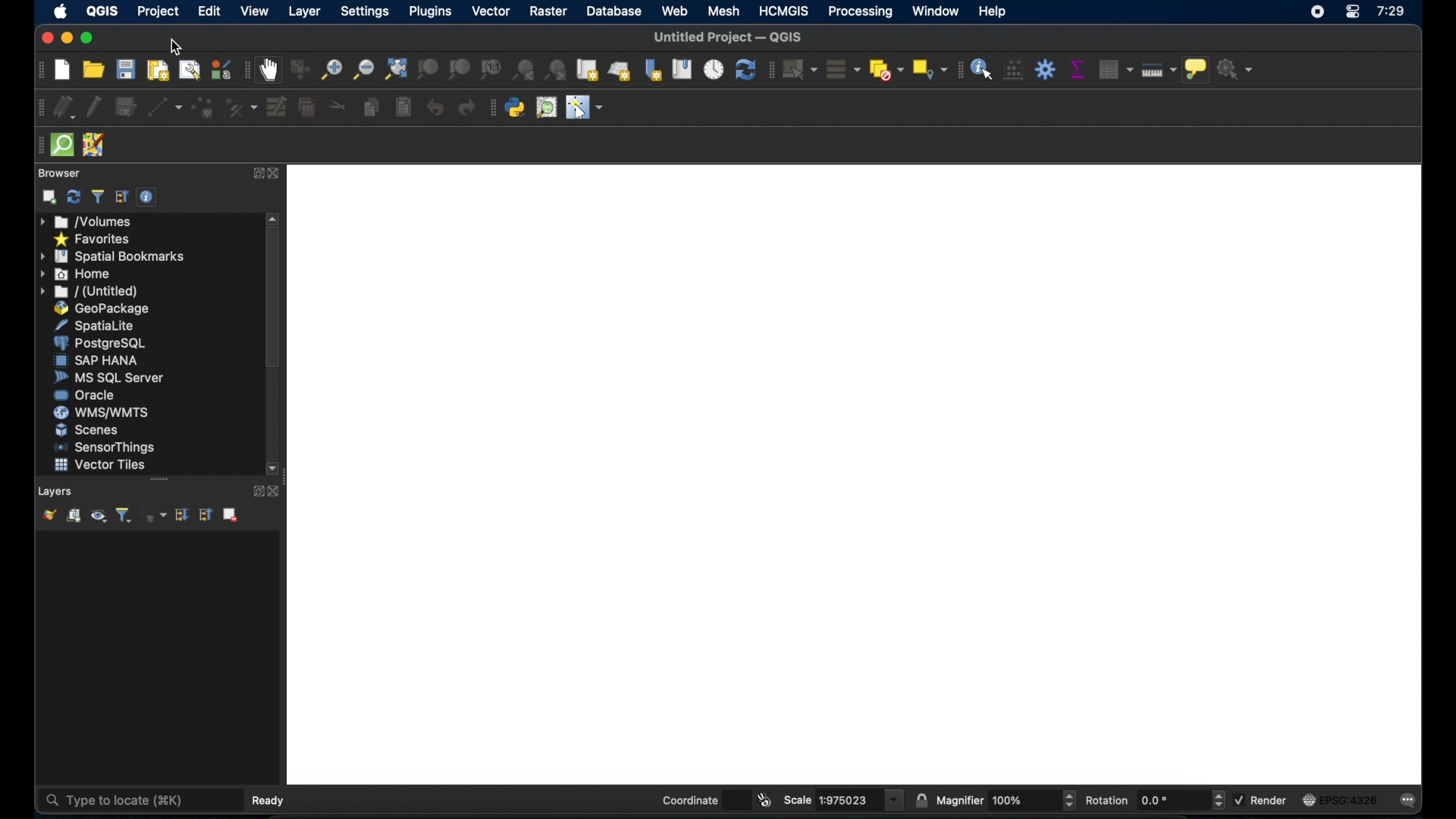 The height and width of the screenshot is (819, 1456). What do you see at coordinates (714, 70) in the screenshot?
I see `temporal controller panel` at bounding box center [714, 70].